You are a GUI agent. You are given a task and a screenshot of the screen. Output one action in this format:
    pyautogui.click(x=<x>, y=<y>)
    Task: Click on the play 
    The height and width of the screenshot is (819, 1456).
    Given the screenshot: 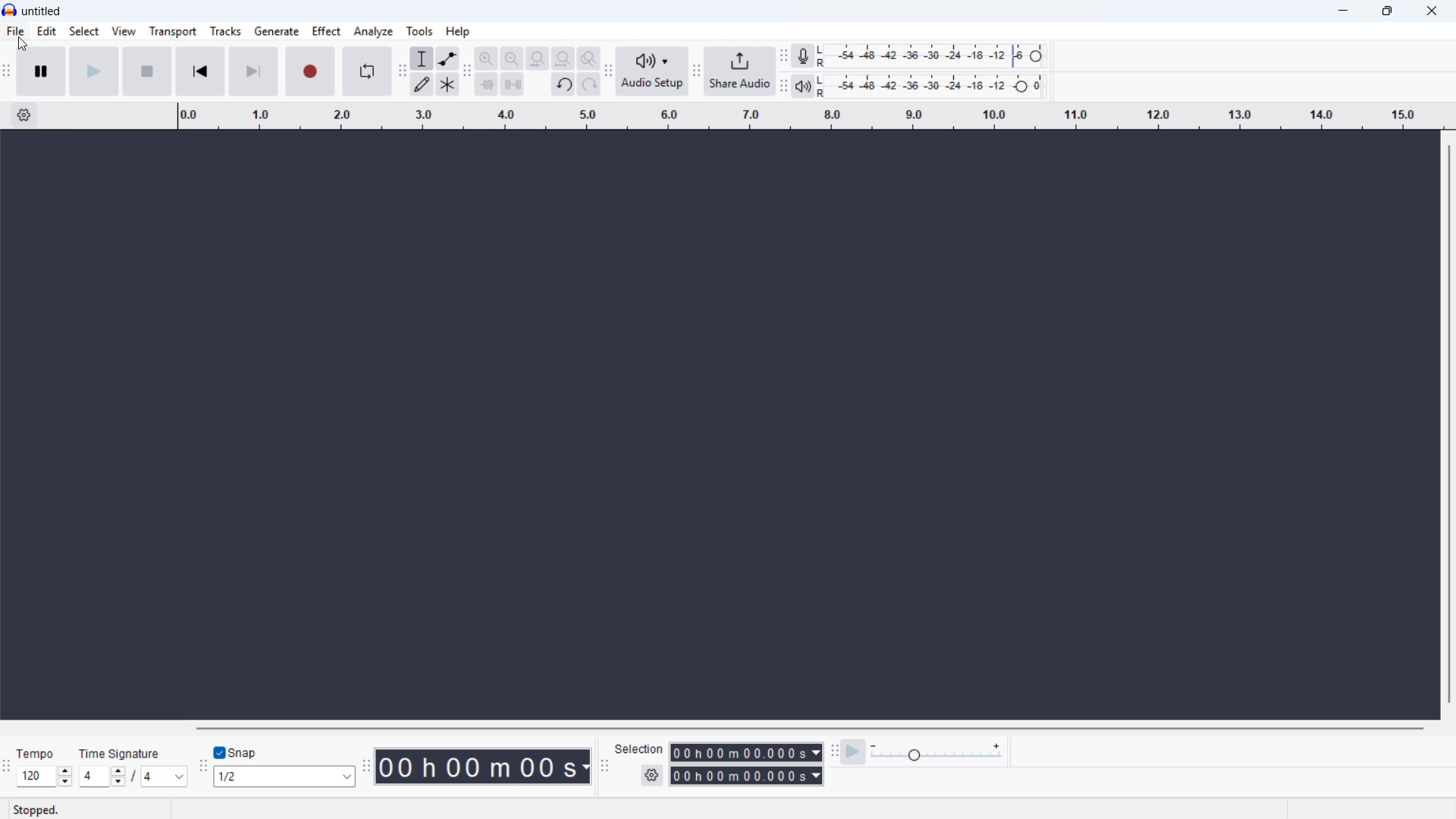 What is the action you would take?
    pyautogui.click(x=95, y=72)
    